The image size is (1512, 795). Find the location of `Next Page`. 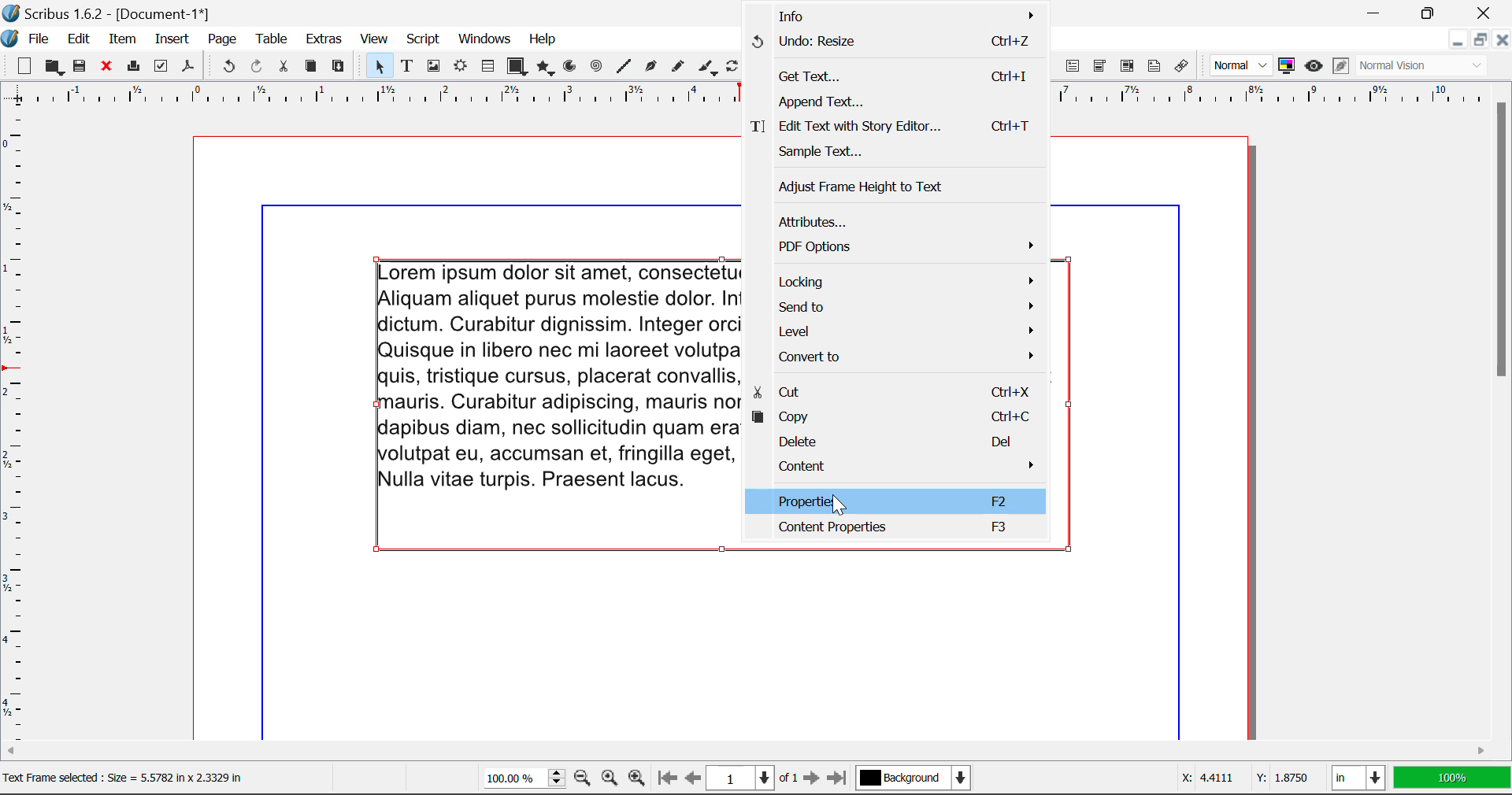

Next Page is located at coordinates (811, 779).